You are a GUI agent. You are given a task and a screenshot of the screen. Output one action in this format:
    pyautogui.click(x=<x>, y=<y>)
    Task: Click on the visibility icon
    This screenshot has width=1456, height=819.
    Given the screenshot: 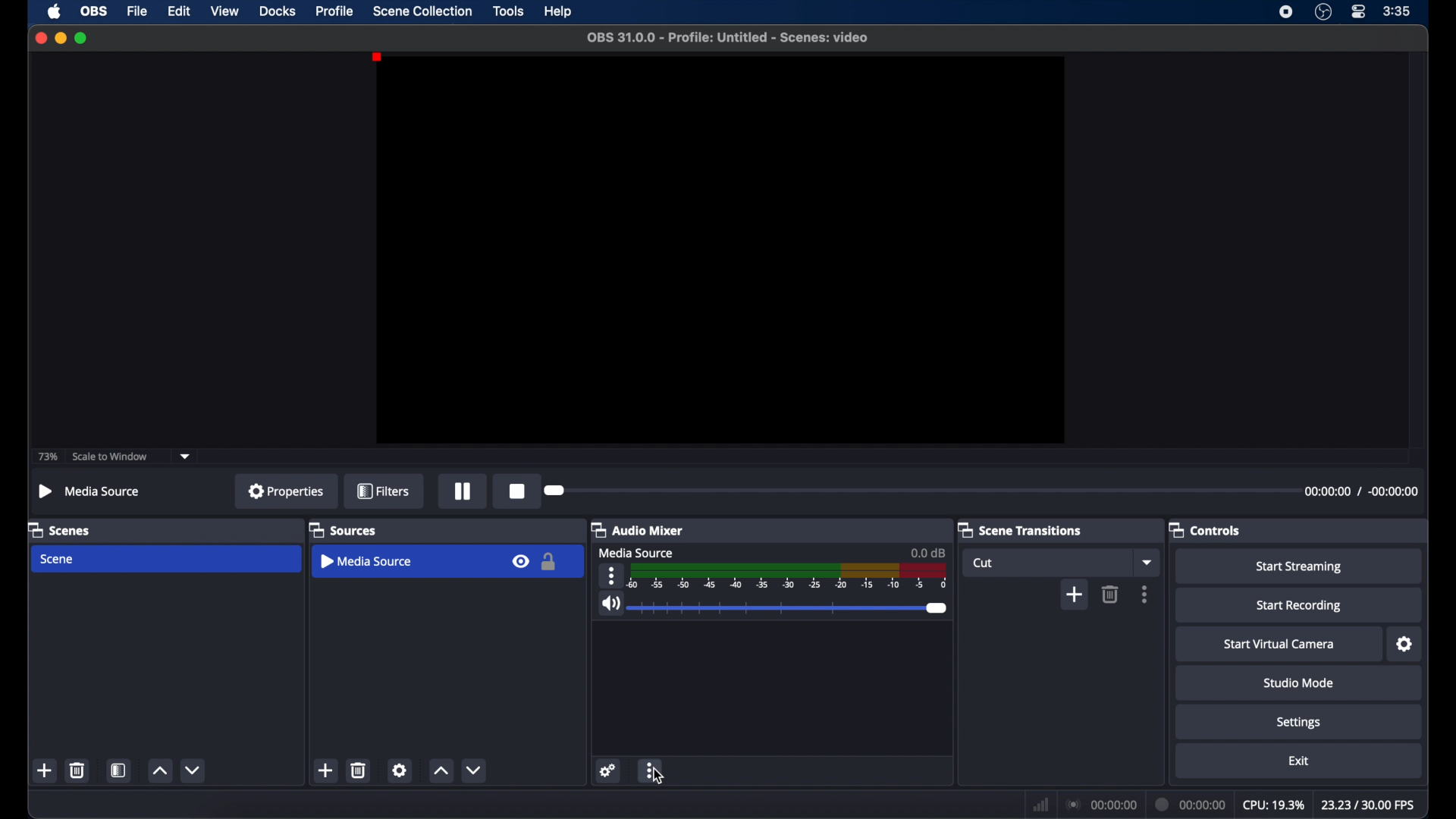 What is the action you would take?
    pyautogui.click(x=520, y=561)
    